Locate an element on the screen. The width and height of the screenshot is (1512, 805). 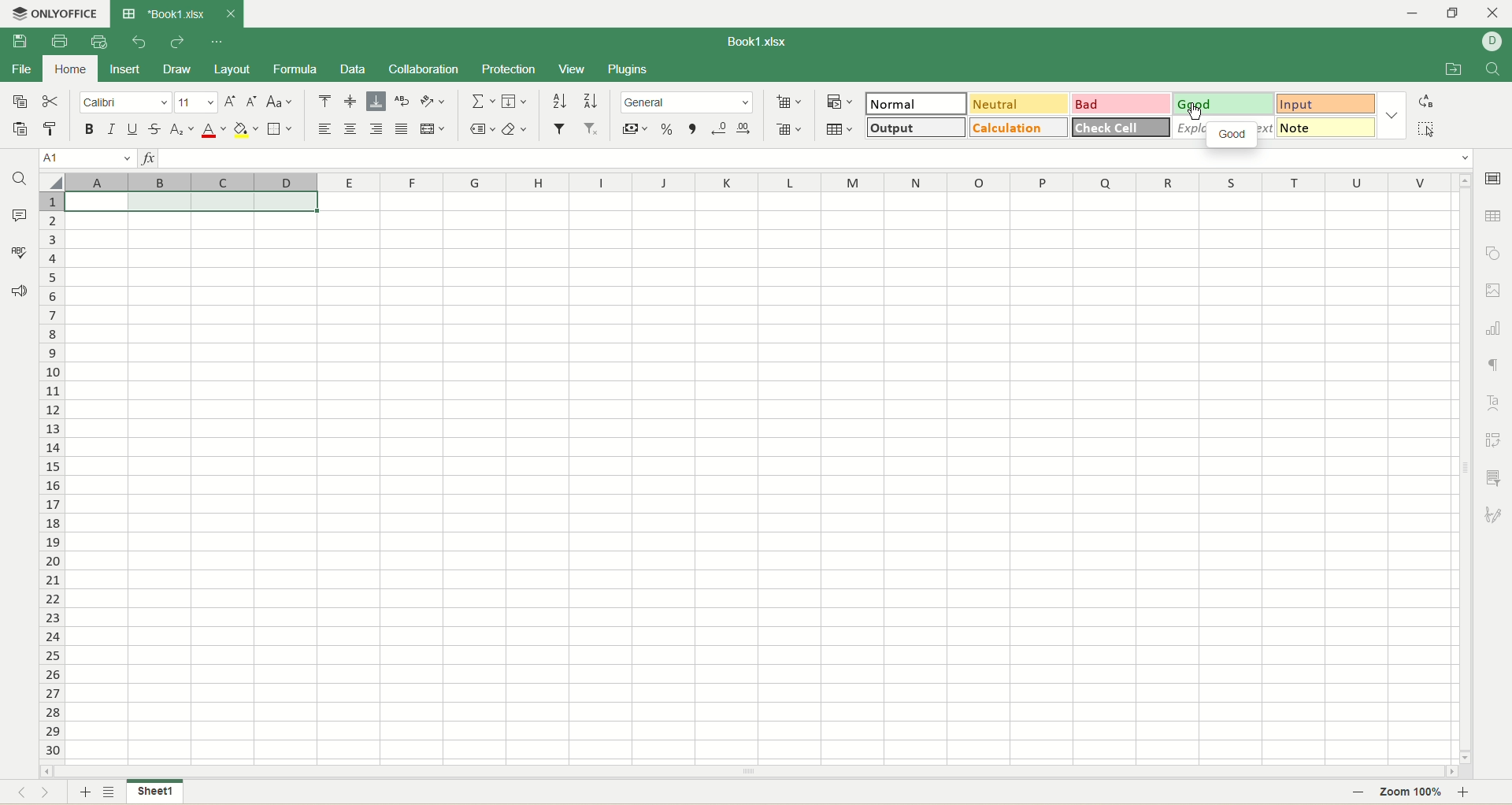
font size is located at coordinates (196, 102).